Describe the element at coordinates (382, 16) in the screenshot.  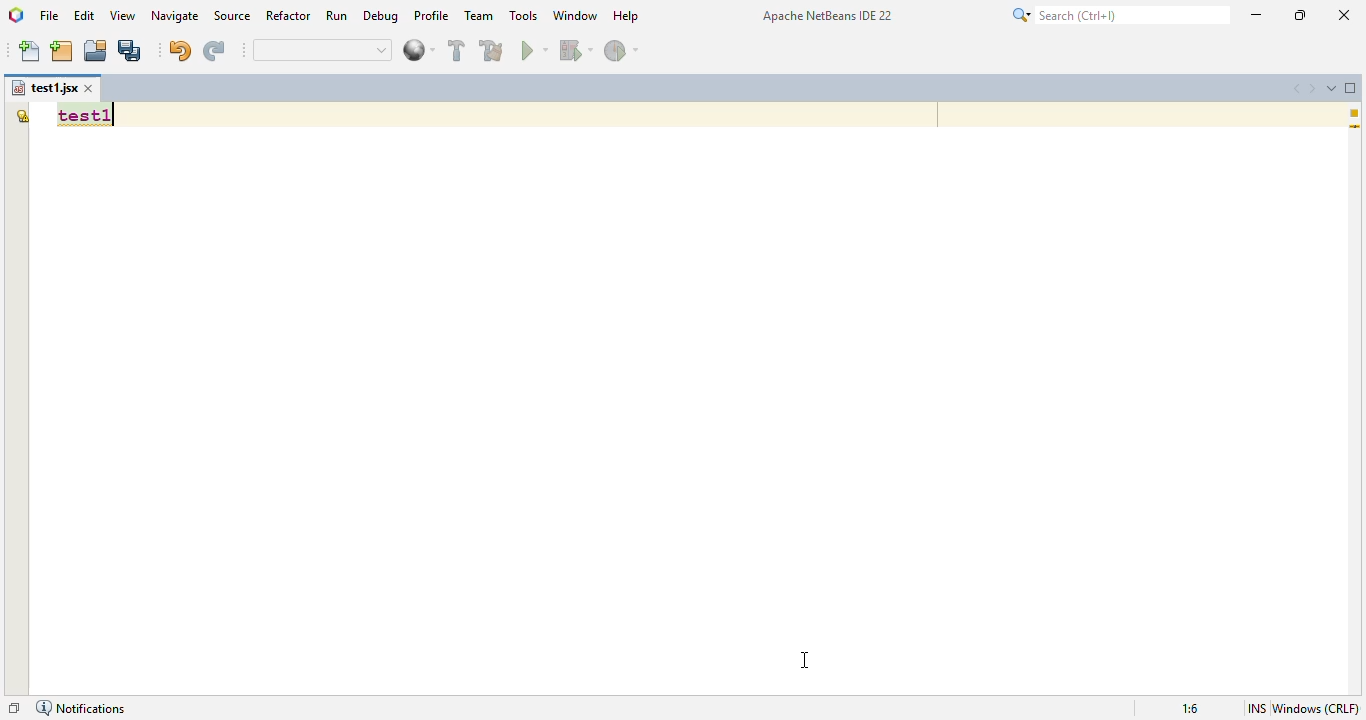
I see `debug` at that location.